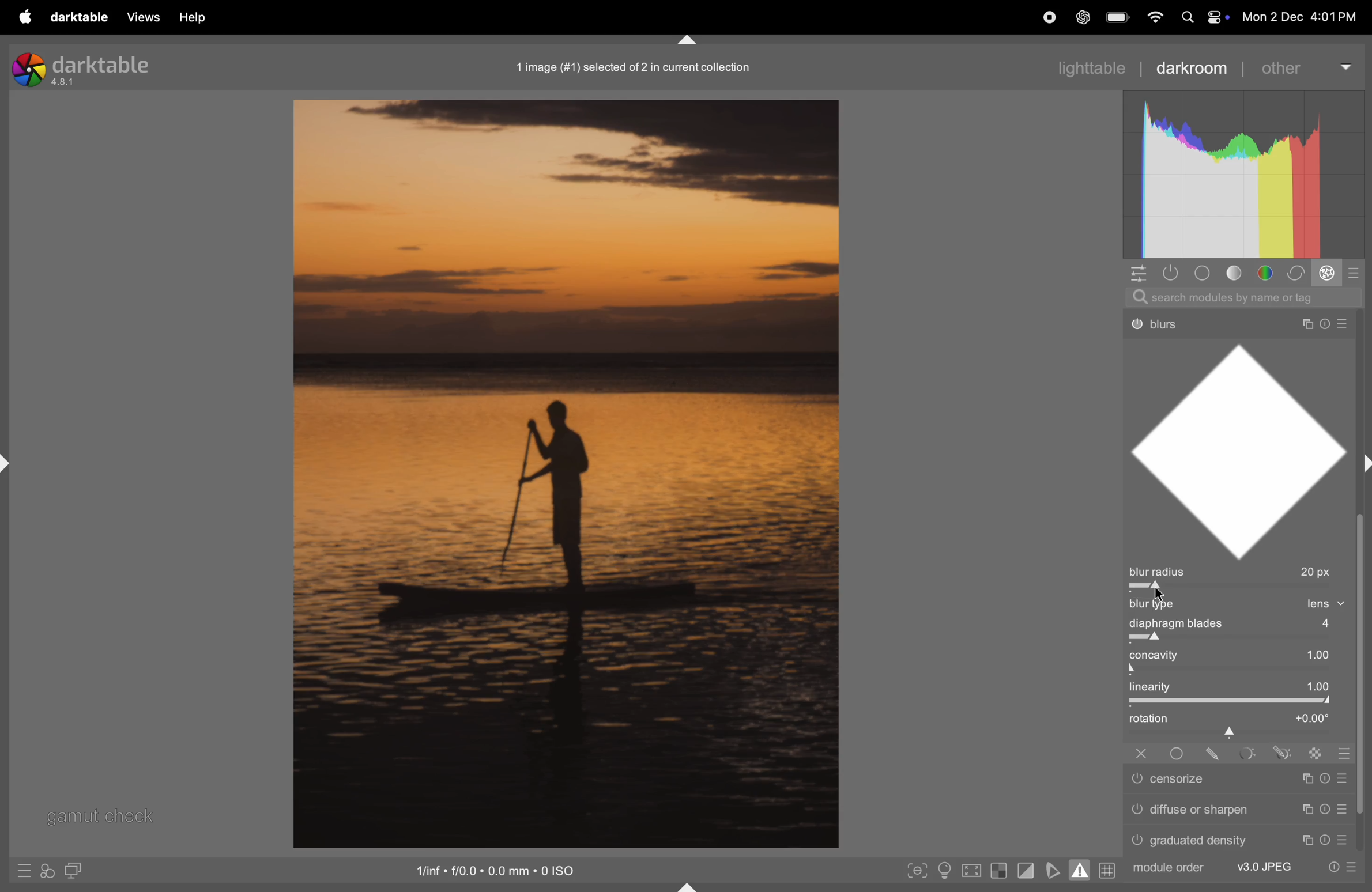 This screenshot has width=1372, height=892. I want to click on other, so click(1304, 66).